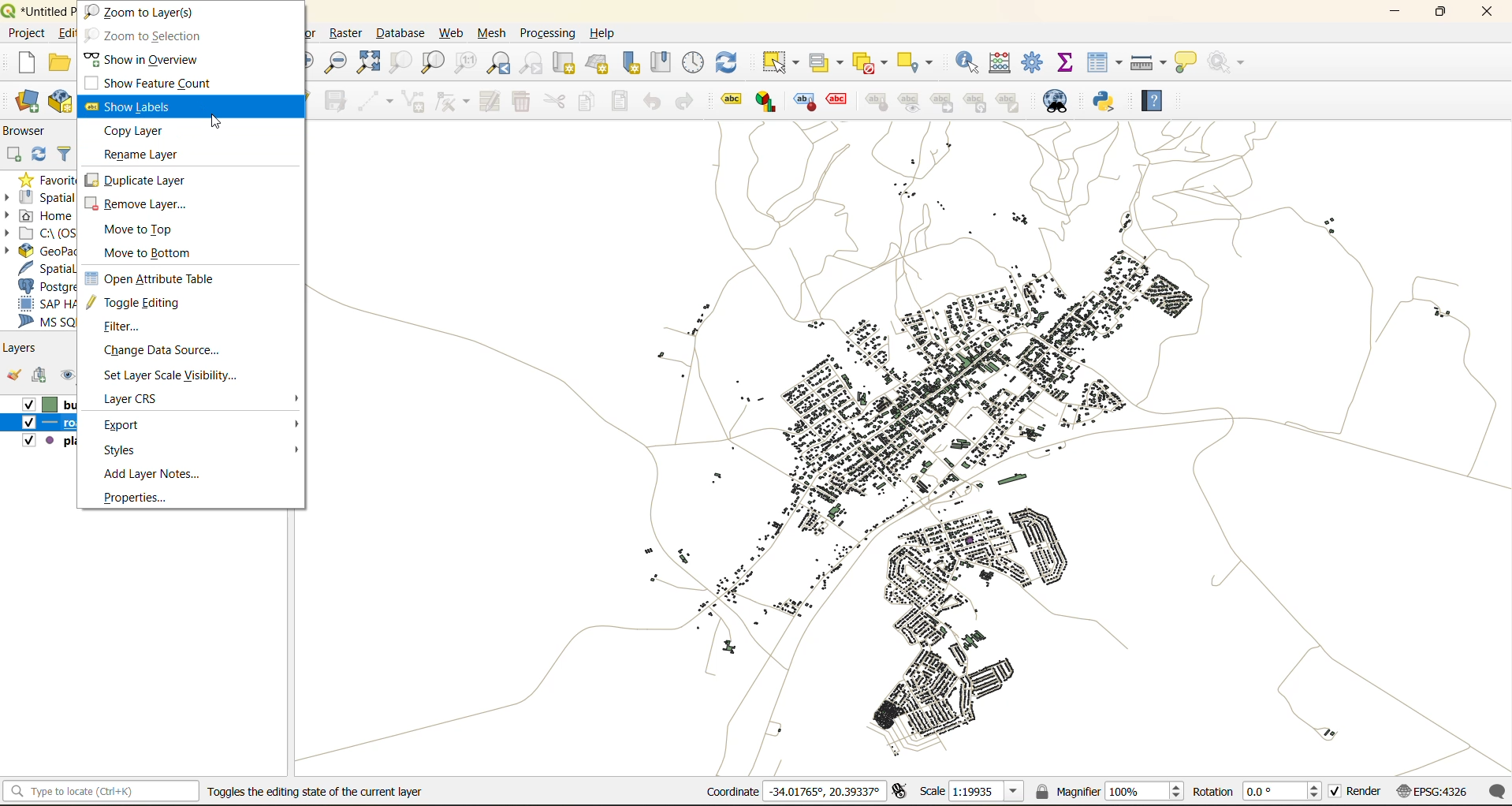 The height and width of the screenshot is (806, 1512). I want to click on remove layer, so click(144, 205).